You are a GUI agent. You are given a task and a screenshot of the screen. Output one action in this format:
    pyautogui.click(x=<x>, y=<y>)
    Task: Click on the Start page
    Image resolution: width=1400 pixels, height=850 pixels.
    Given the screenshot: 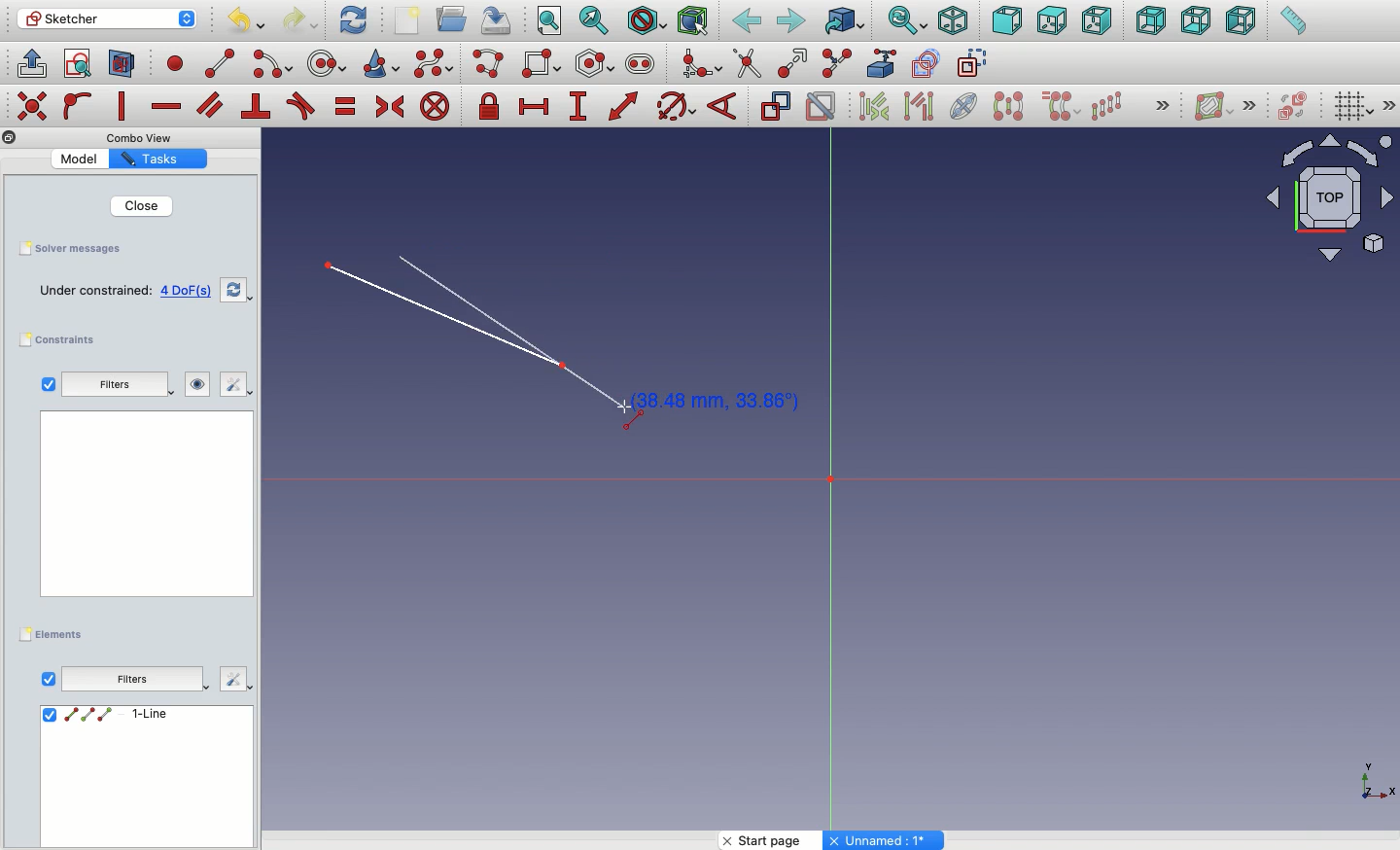 What is the action you would take?
    pyautogui.click(x=772, y=840)
    